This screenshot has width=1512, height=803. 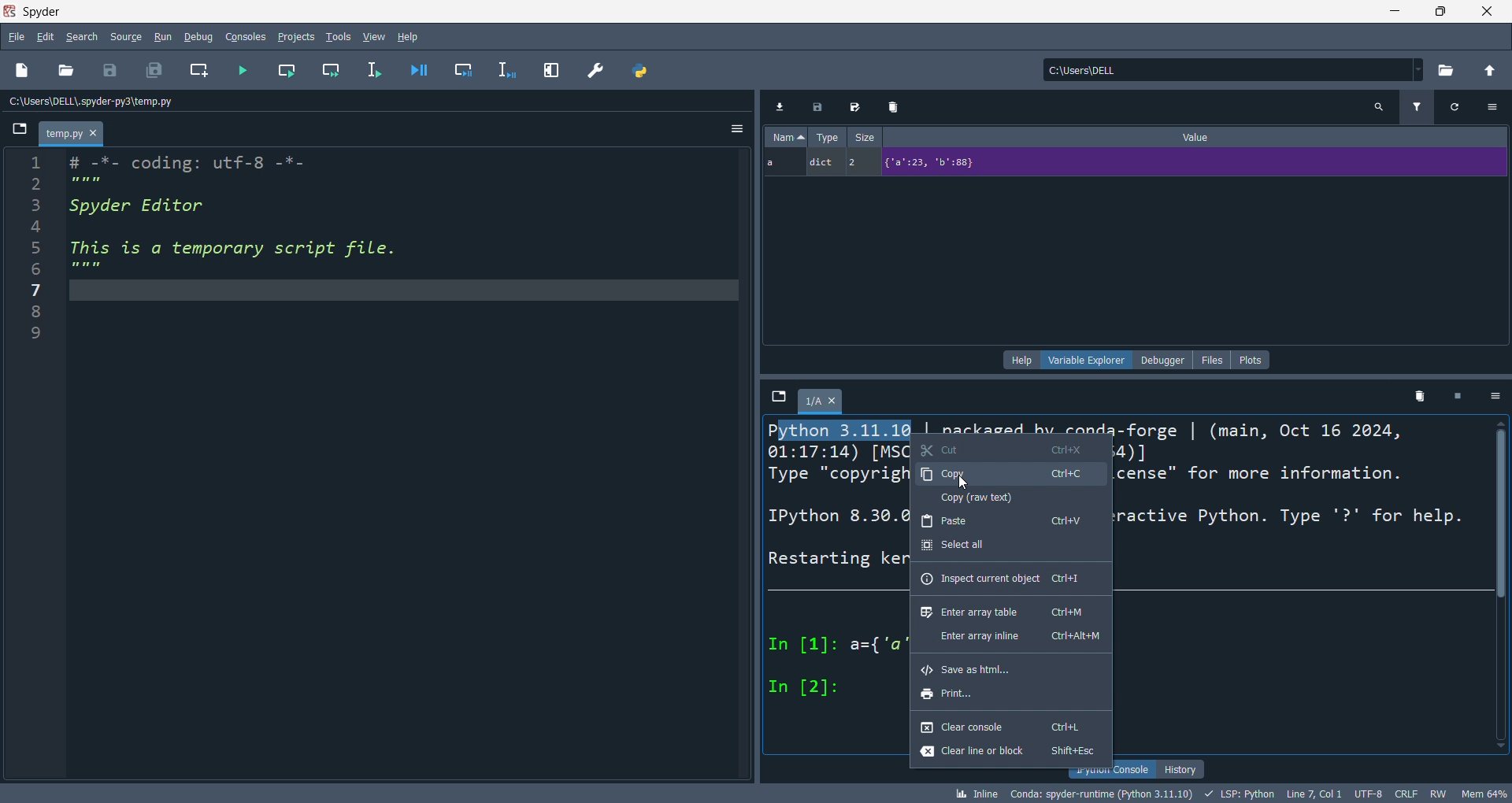 I want to click on LSP: Python, so click(x=1238, y=794).